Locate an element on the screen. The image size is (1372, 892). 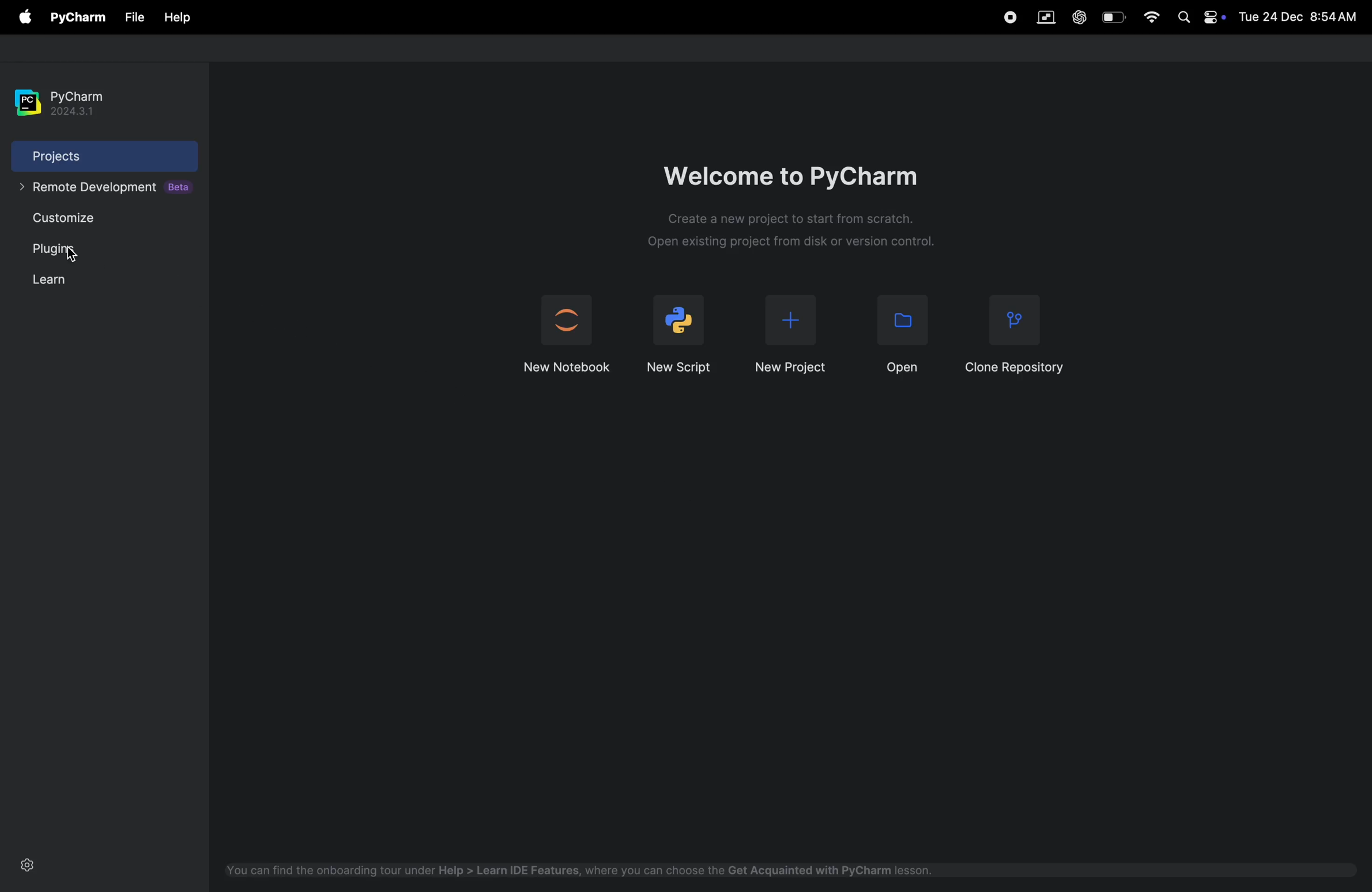
pycharm version is located at coordinates (80, 101).